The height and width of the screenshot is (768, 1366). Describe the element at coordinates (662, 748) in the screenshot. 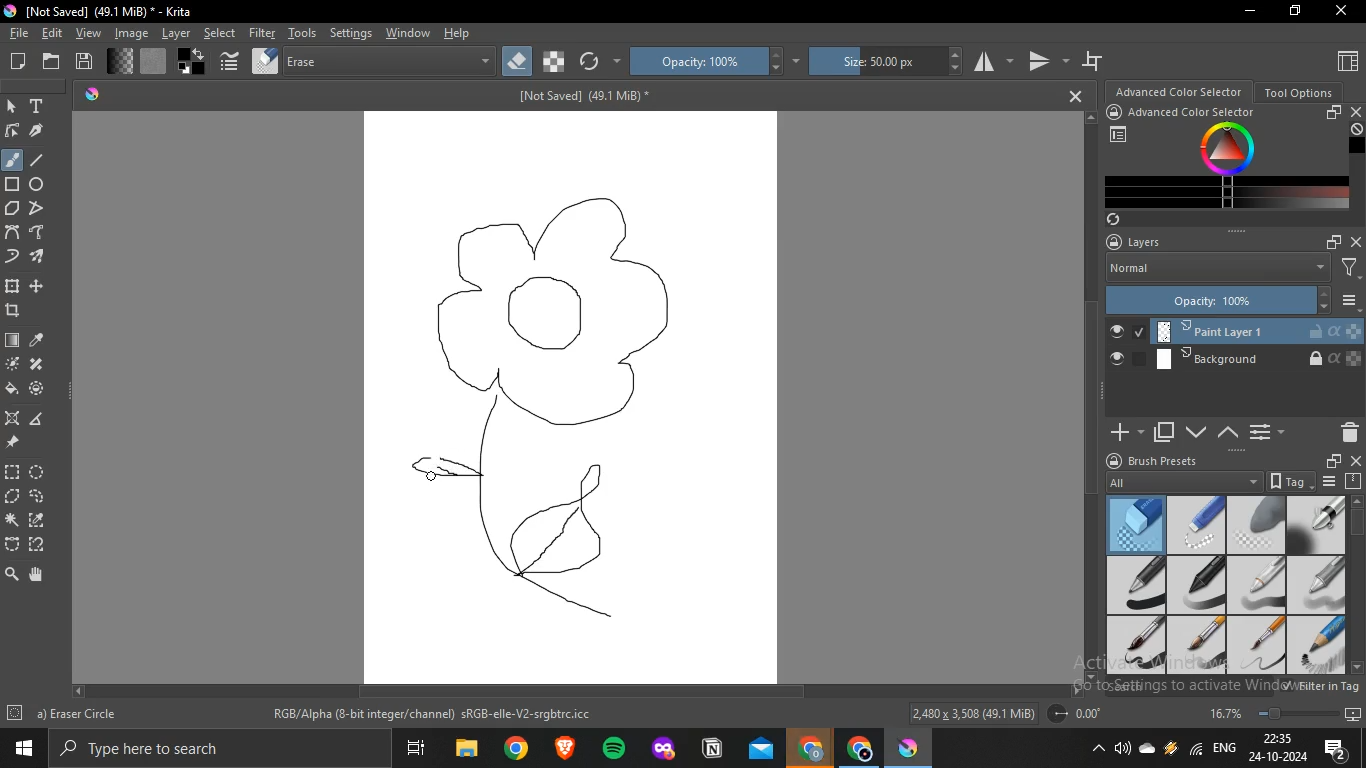

I see `Application` at that location.